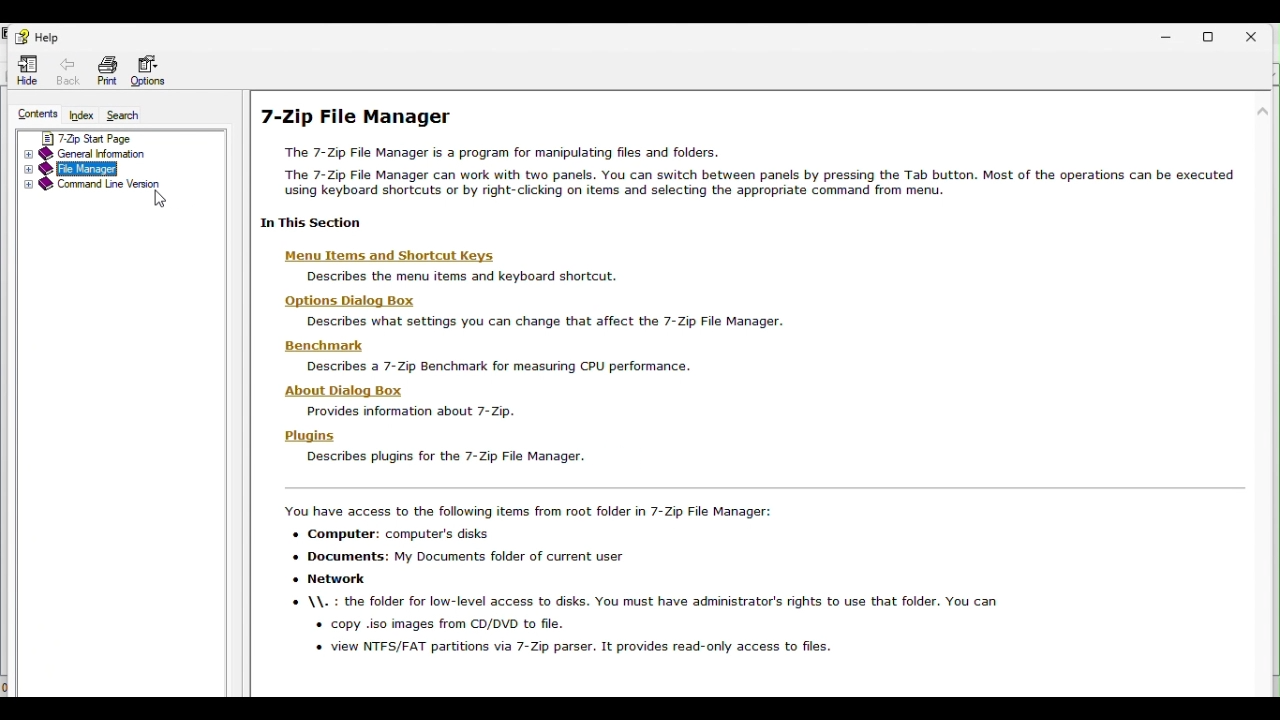  Describe the element at coordinates (436, 412) in the screenshot. I see `| | Provides information about 7- Zip.` at that location.